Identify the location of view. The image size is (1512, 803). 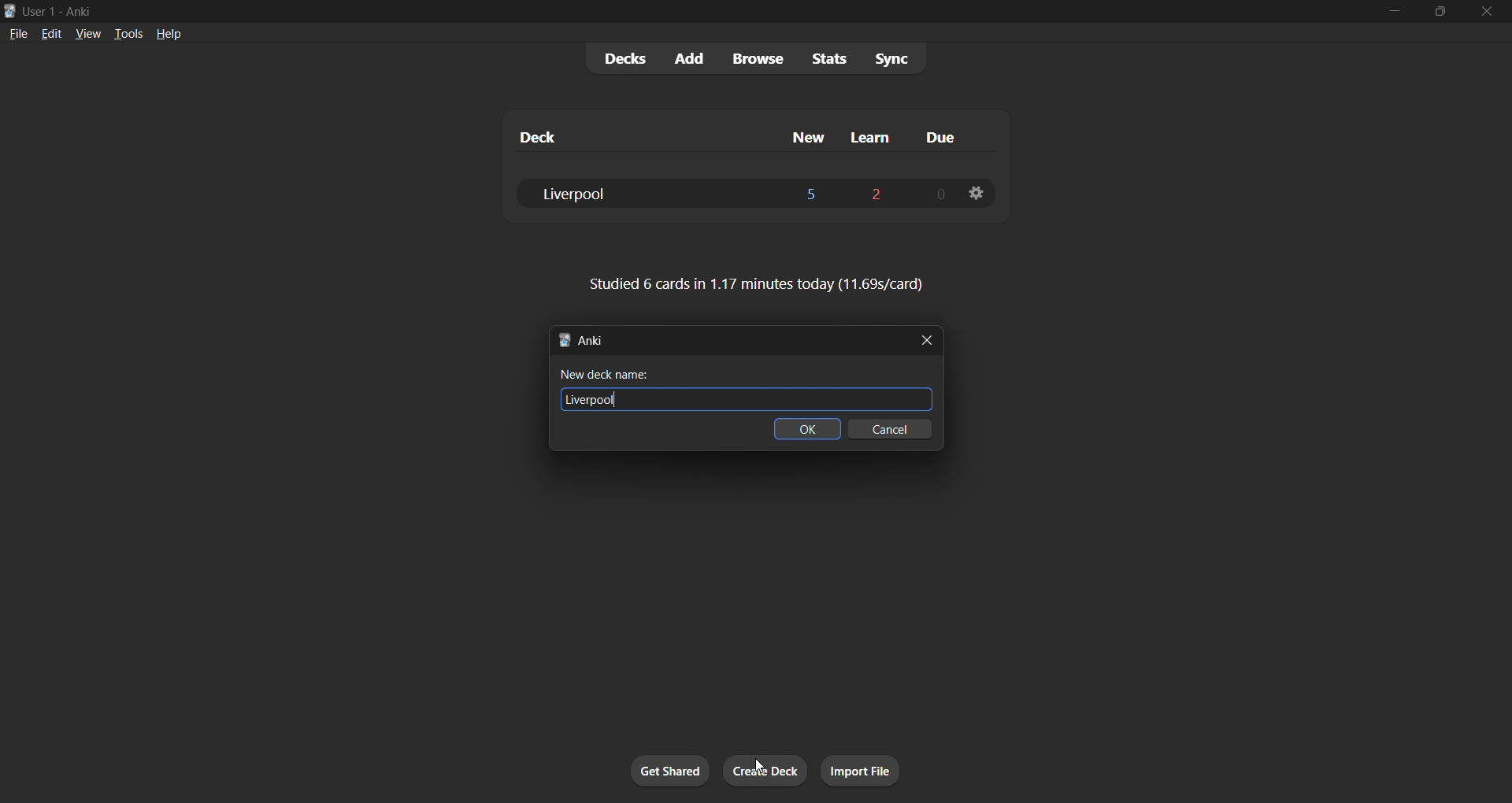
(87, 35).